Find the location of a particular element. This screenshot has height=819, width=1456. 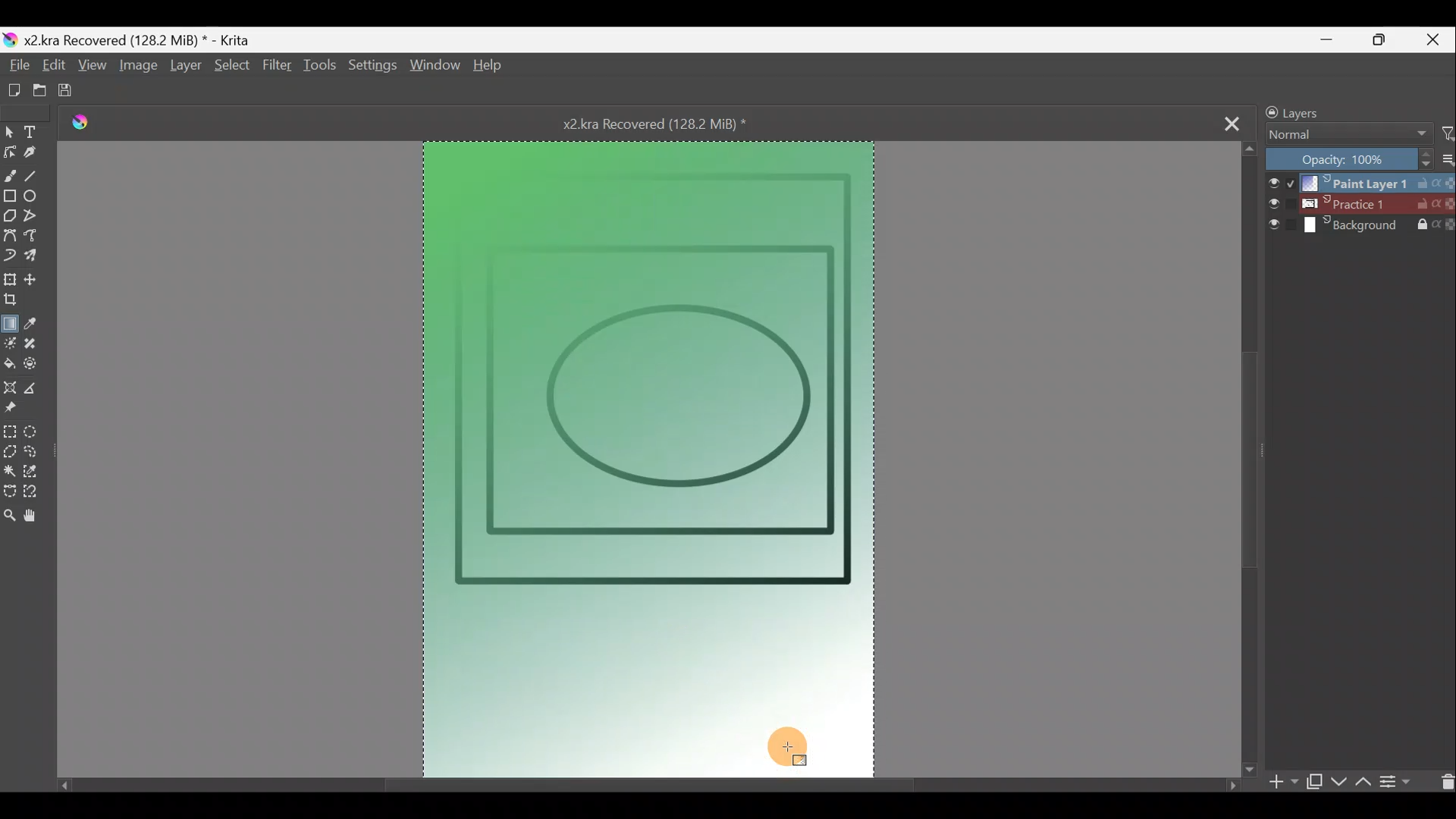

Line tool is located at coordinates (34, 178).